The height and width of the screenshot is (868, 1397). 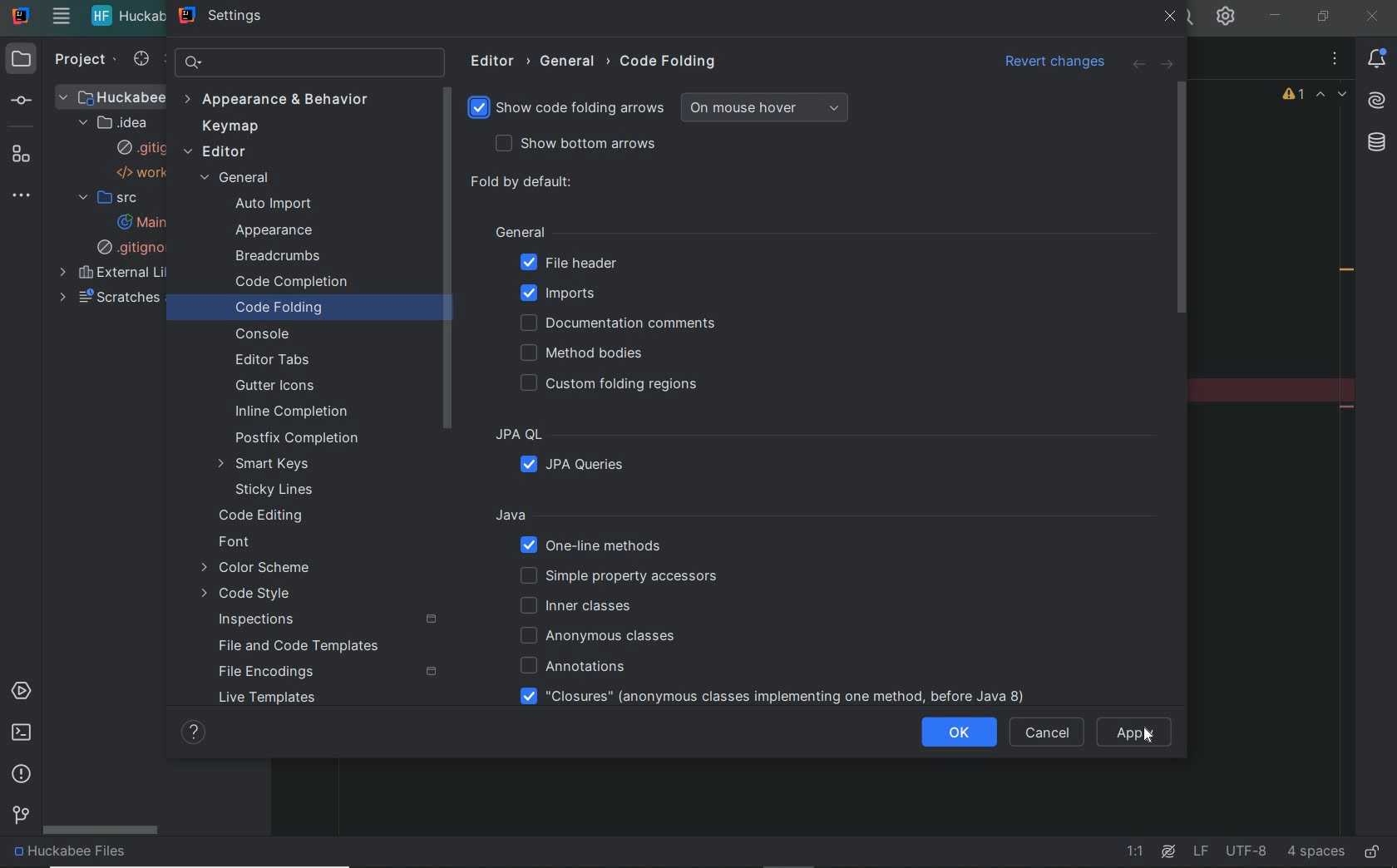 I want to click on show bottom arrows, so click(x=570, y=142).